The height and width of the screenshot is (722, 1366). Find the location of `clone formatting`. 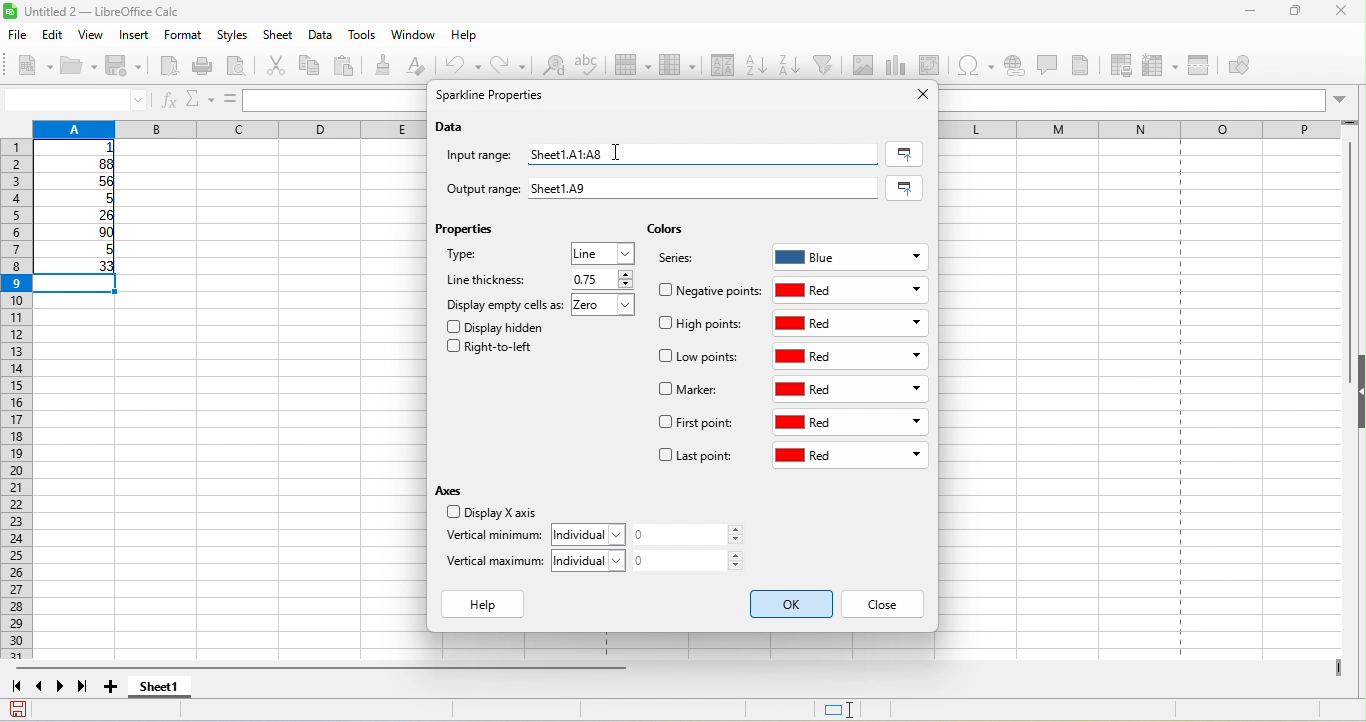

clone formatting is located at coordinates (387, 65).